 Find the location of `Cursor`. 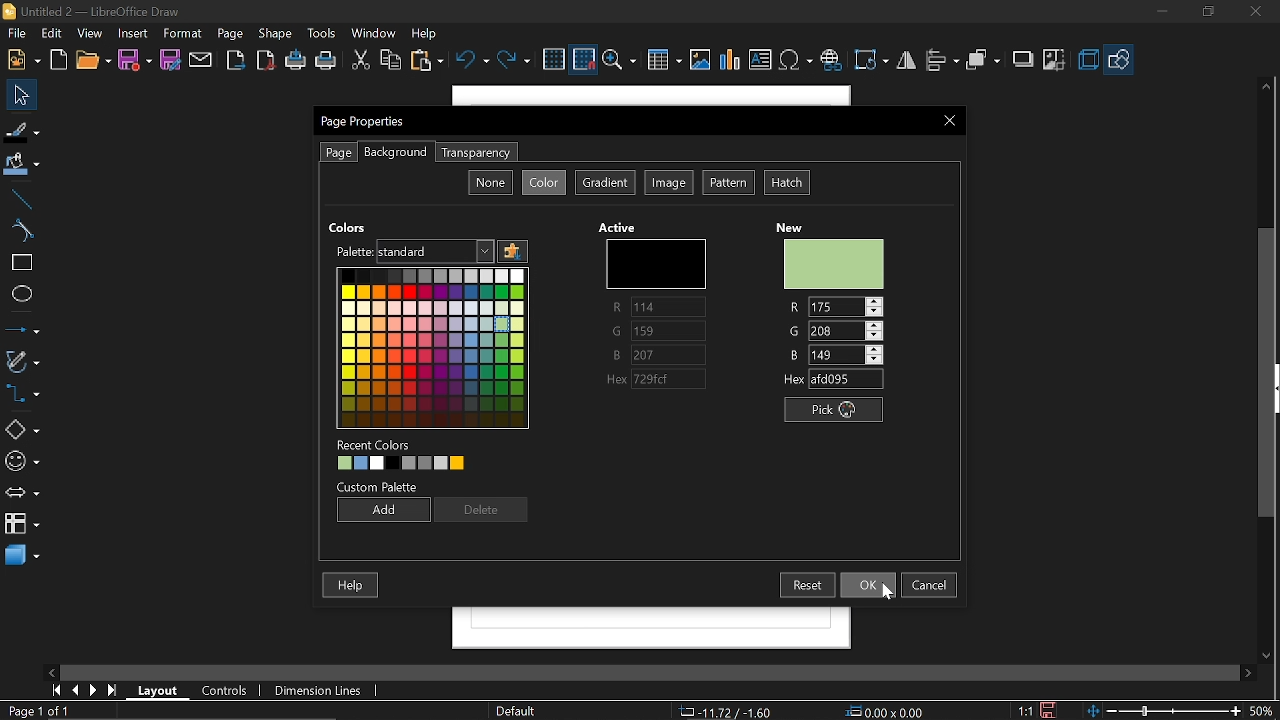

Cursor is located at coordinates (877, 595).